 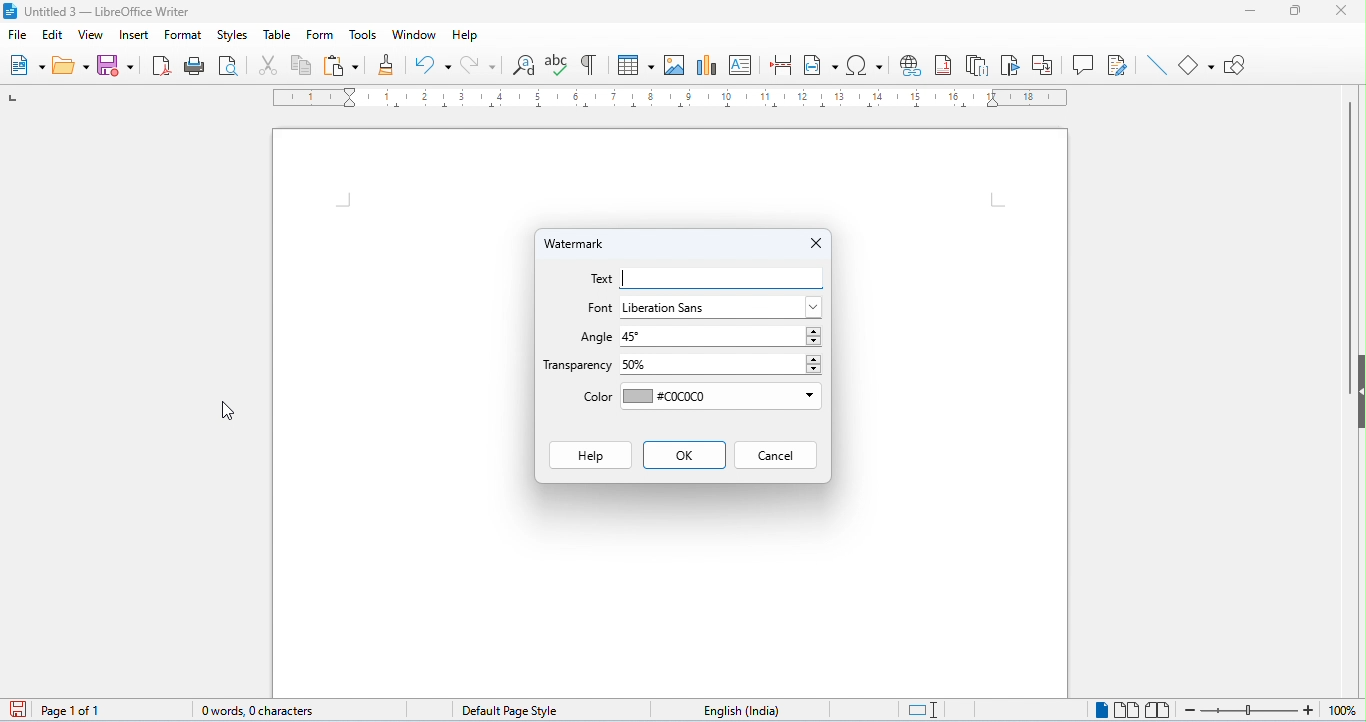 What do you see at coordinates (303, 65) in the screenshot?
I see `copy` at bounding box center [303, 65].